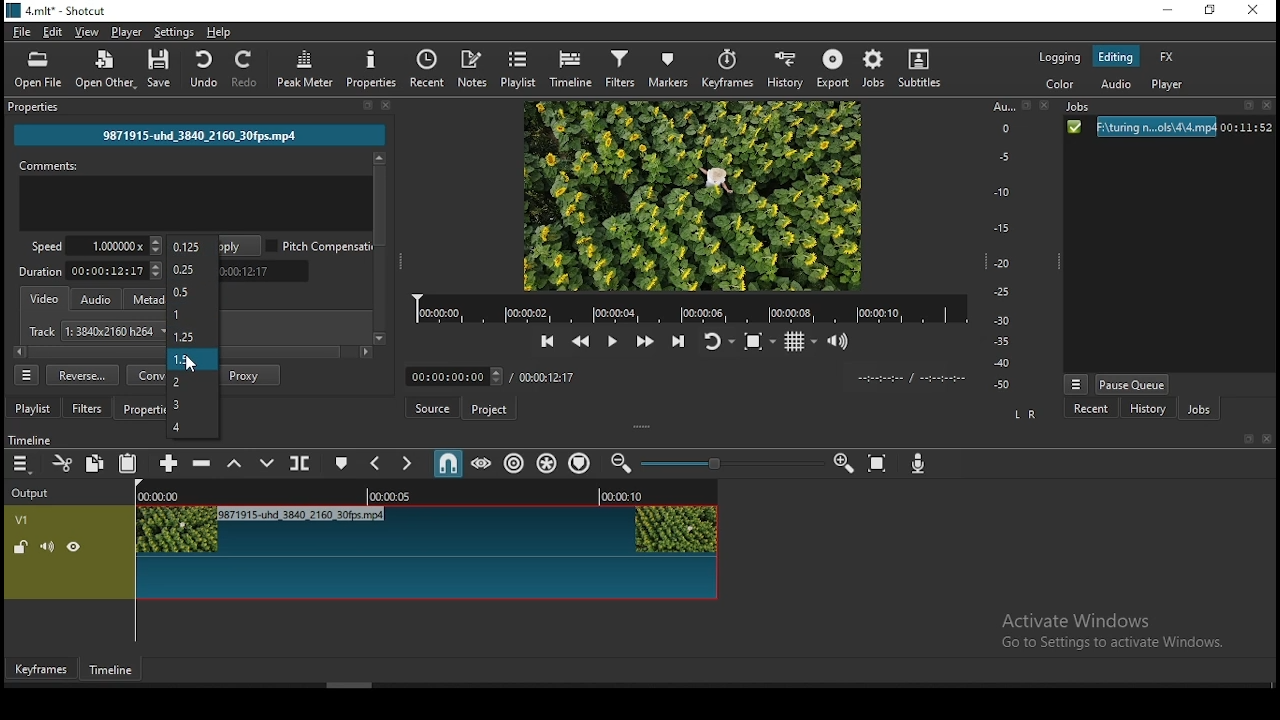 The height and width of the screenshot is (720, 1280). Describe the element at coordinates (669, 69) in the screenshot. I see `markers` at that location.